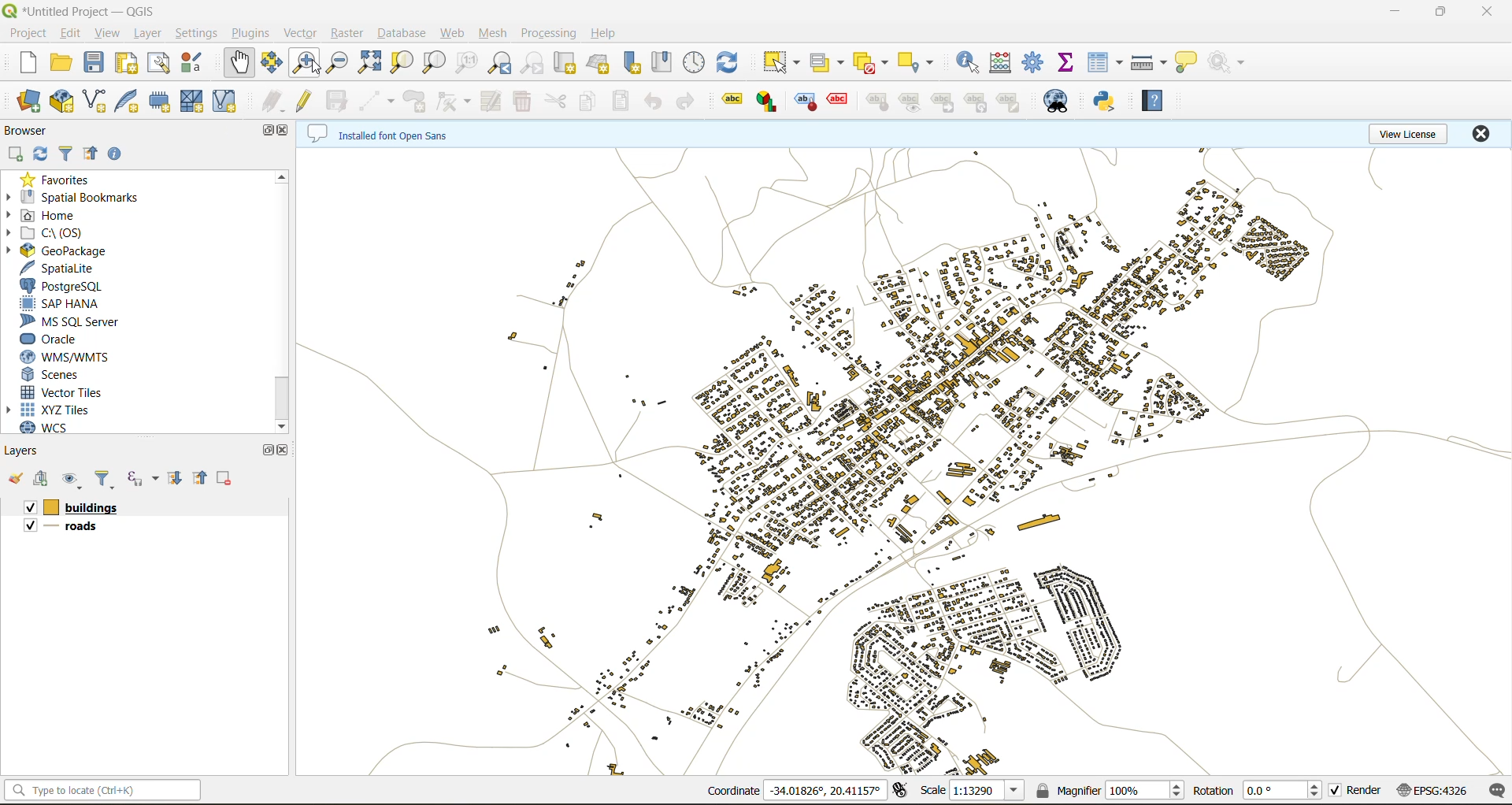  I want to click on geopackage, so click(66, 250).